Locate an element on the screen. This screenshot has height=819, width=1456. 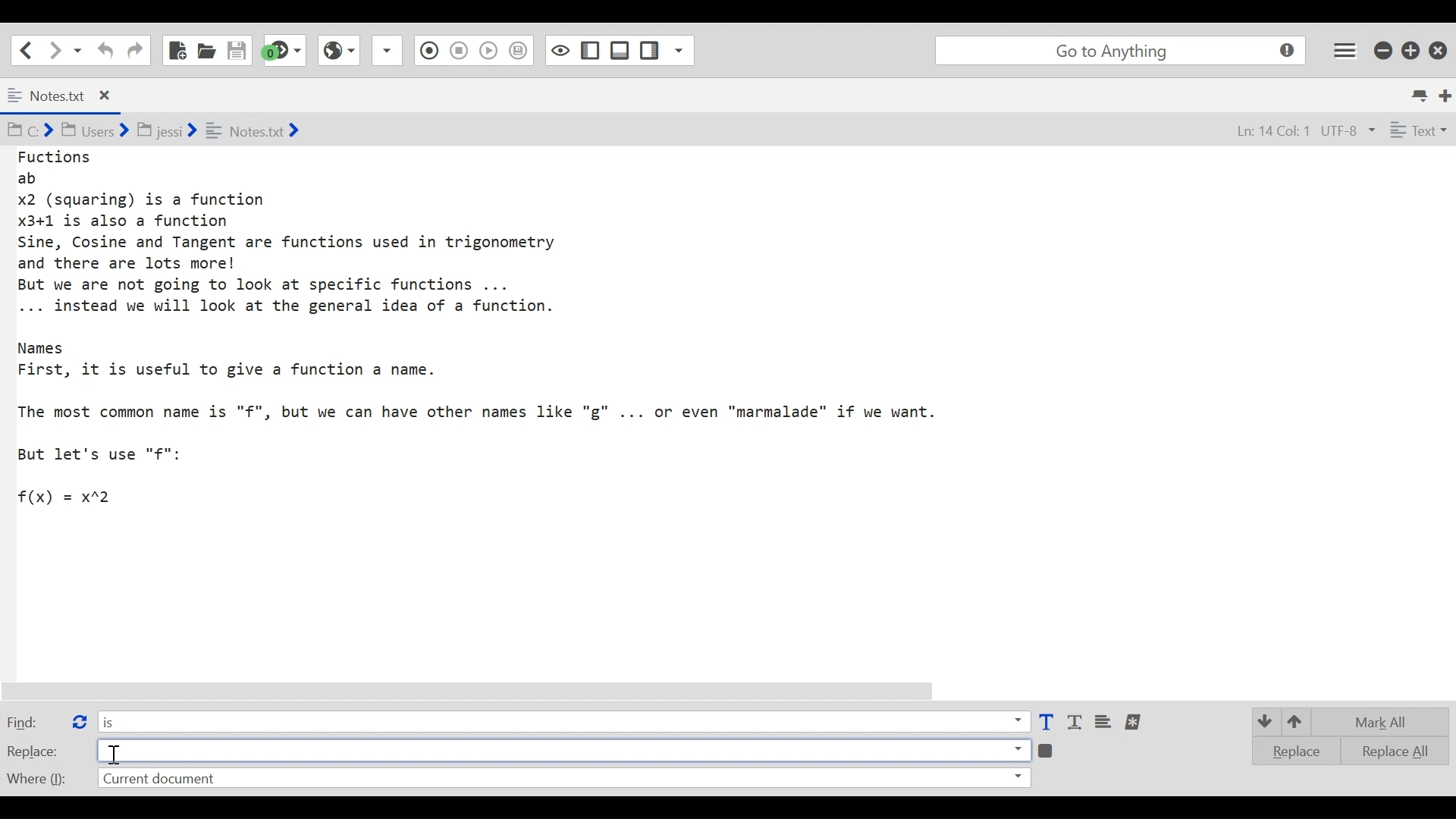
match case is located at coordinates (1046, 723).